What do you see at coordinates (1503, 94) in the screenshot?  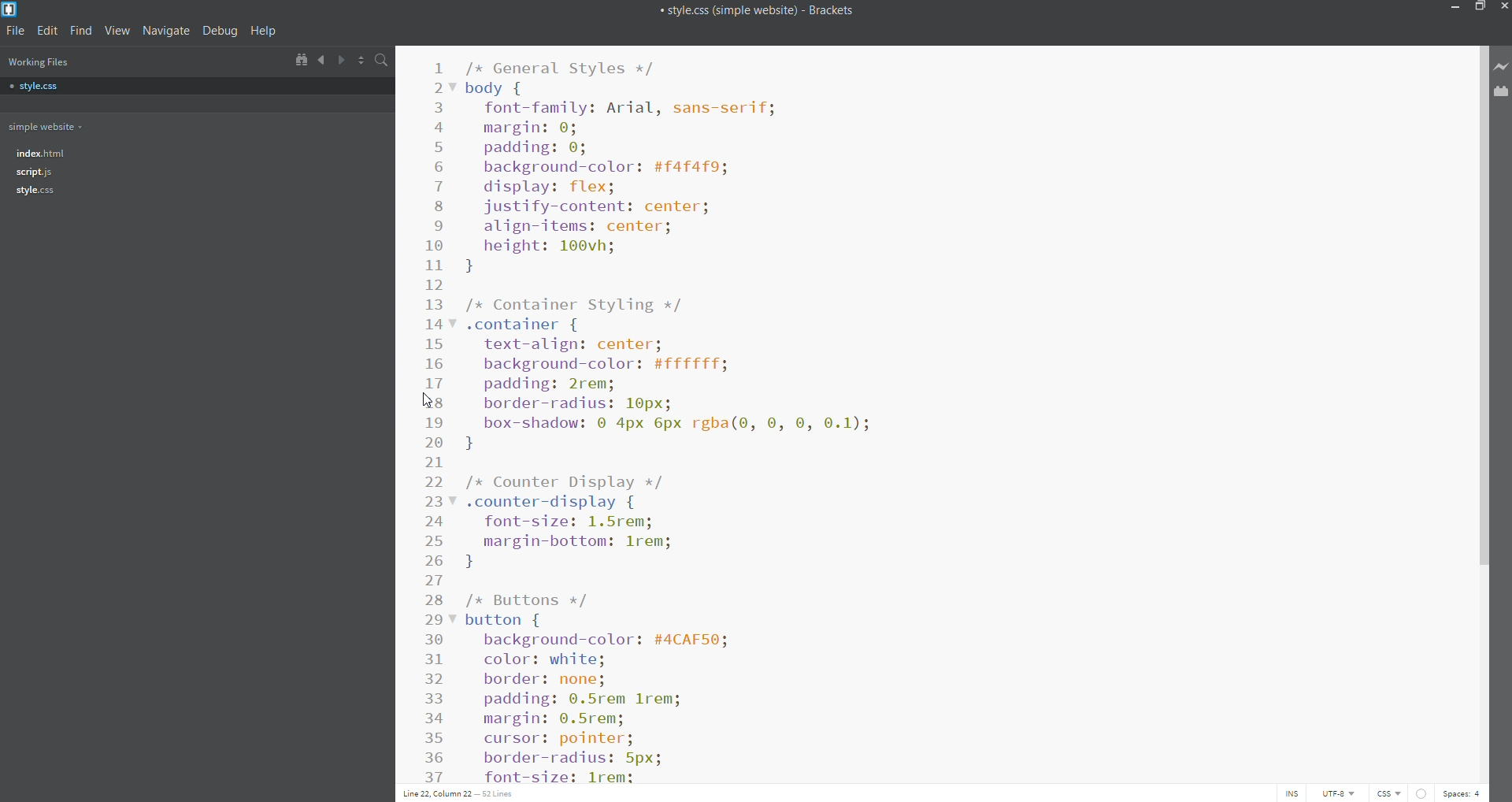 I see `extension management` at bounding box center [1503, 94].